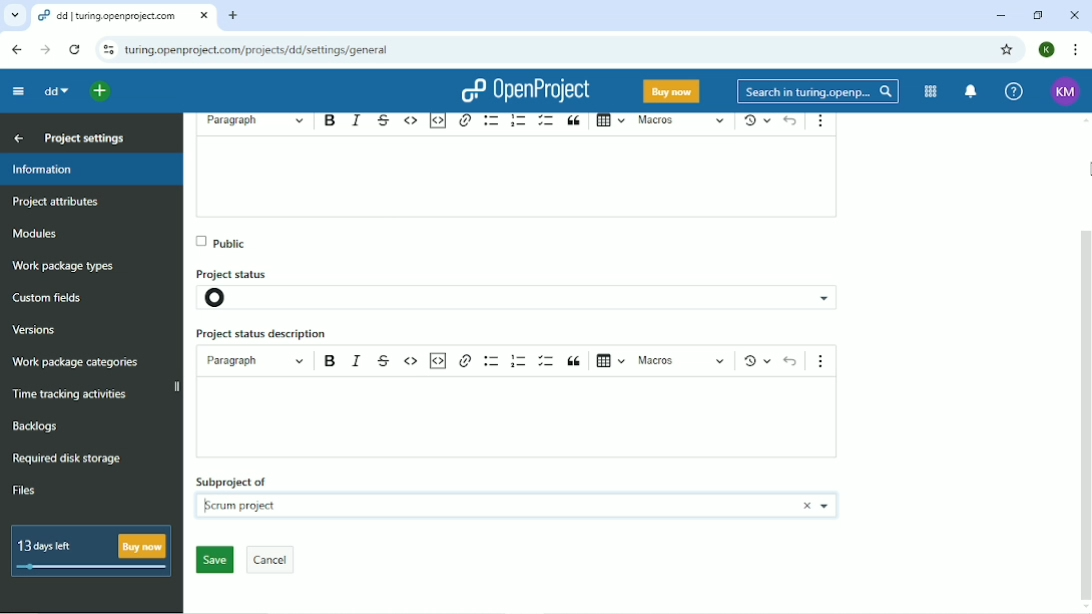 The width and height of the screenshot is (1092, 614). I want to click on Buy now, so click(672, 92).